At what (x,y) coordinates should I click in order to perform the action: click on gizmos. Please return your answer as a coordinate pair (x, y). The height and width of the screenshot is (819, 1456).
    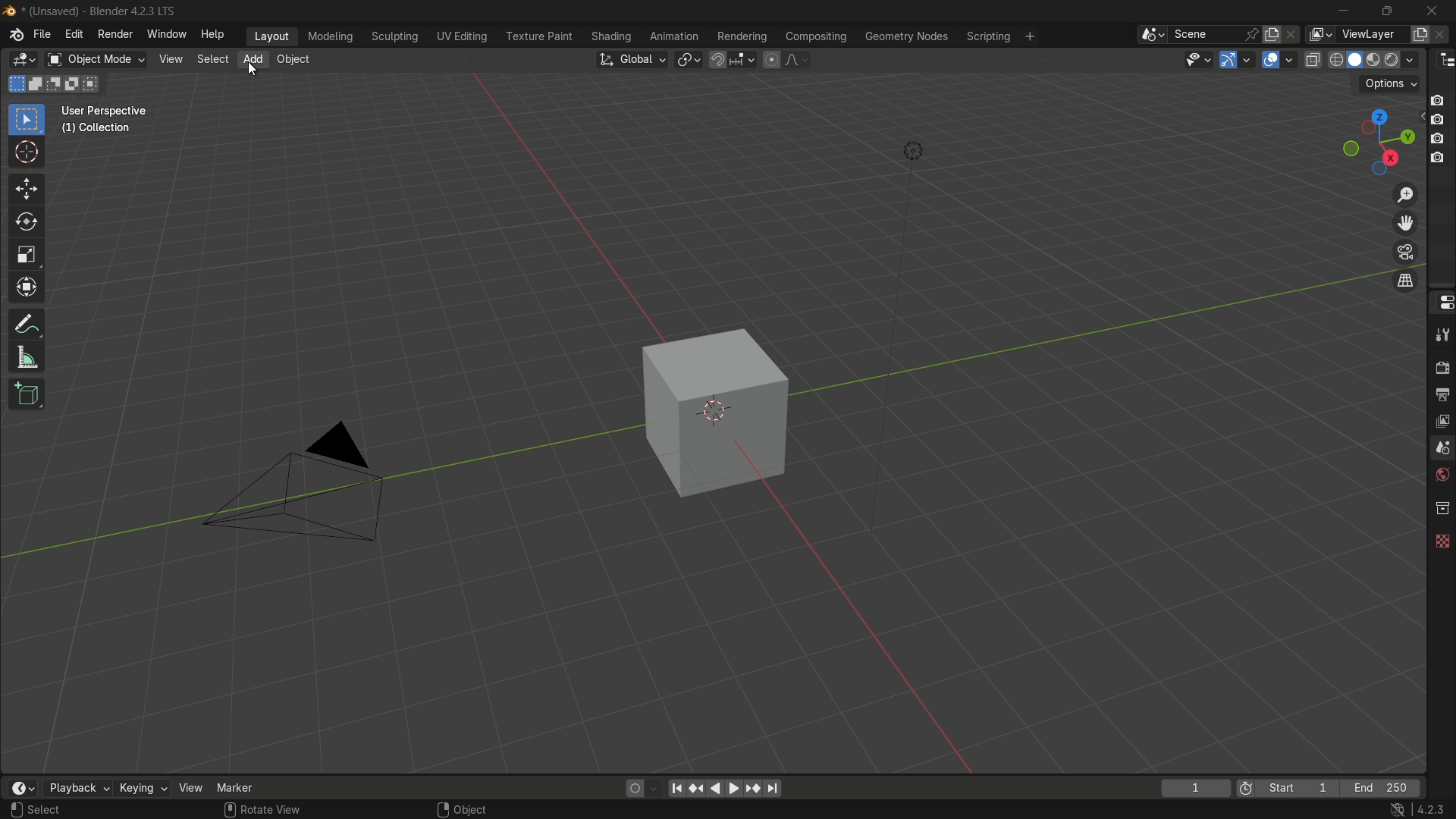
    Looking at the image, I should click on (1246, 59).